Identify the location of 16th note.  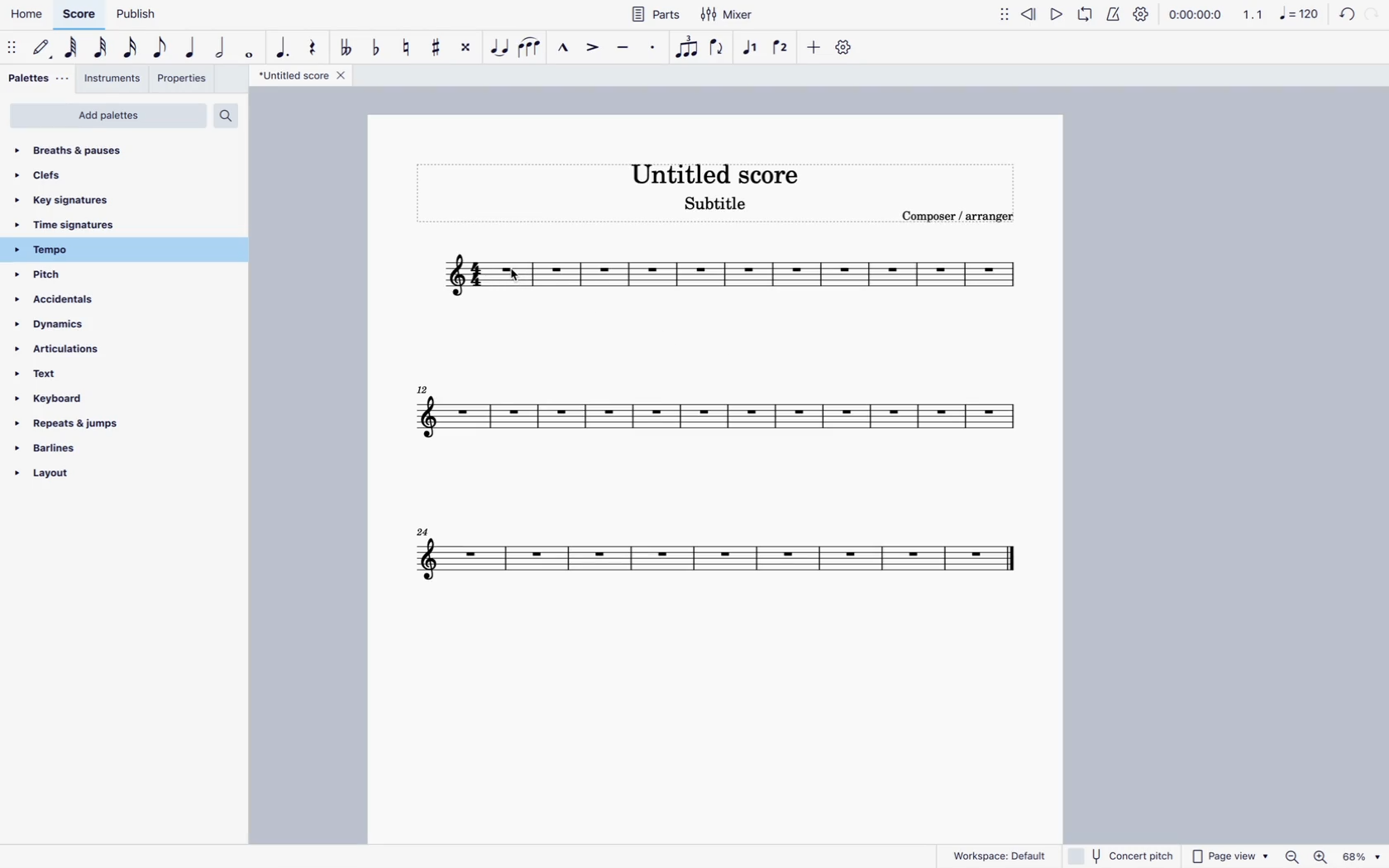
(130, 46).